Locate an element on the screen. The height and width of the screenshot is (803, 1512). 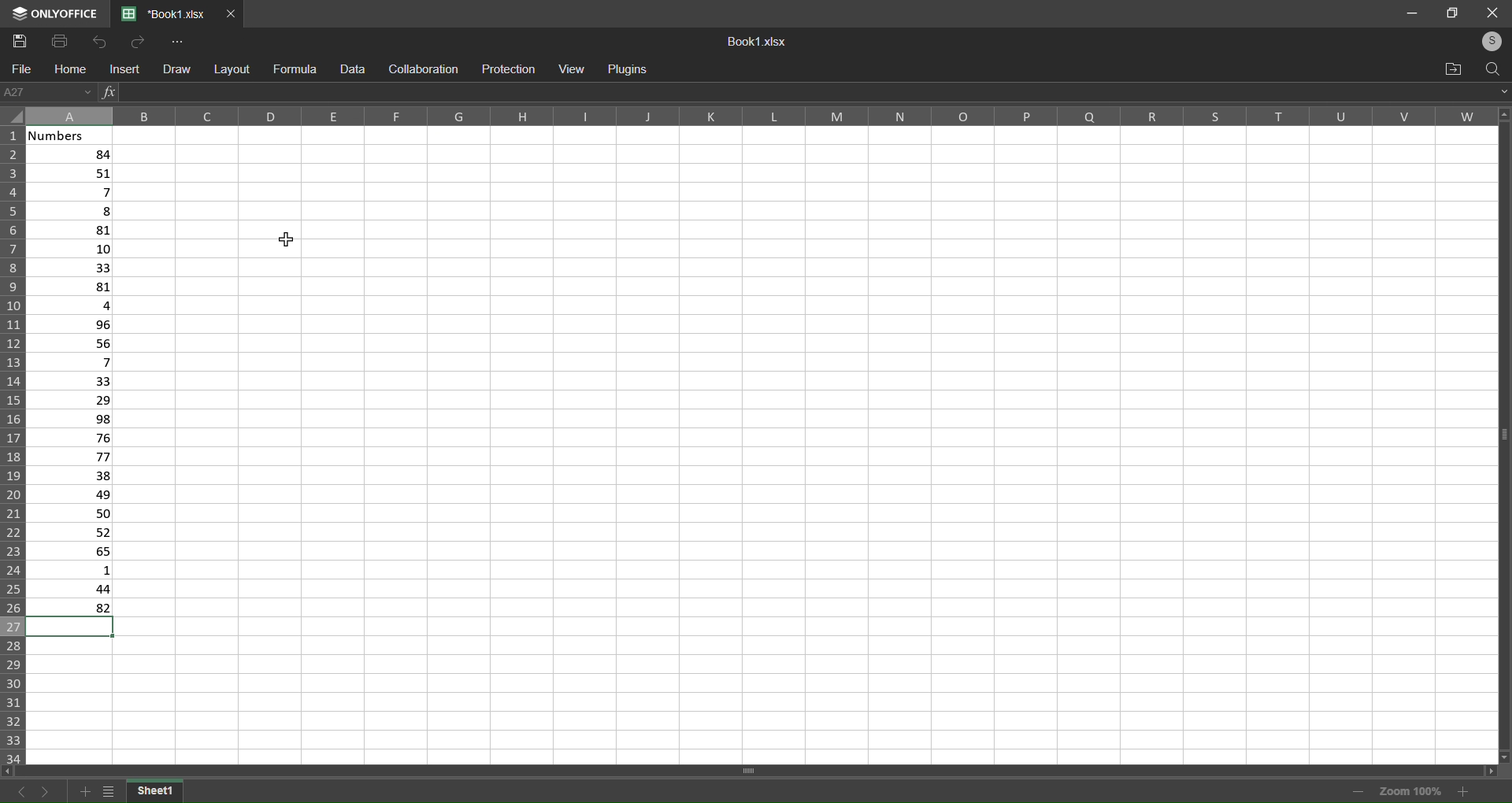
current sheet is located at coordinates (159, 791).